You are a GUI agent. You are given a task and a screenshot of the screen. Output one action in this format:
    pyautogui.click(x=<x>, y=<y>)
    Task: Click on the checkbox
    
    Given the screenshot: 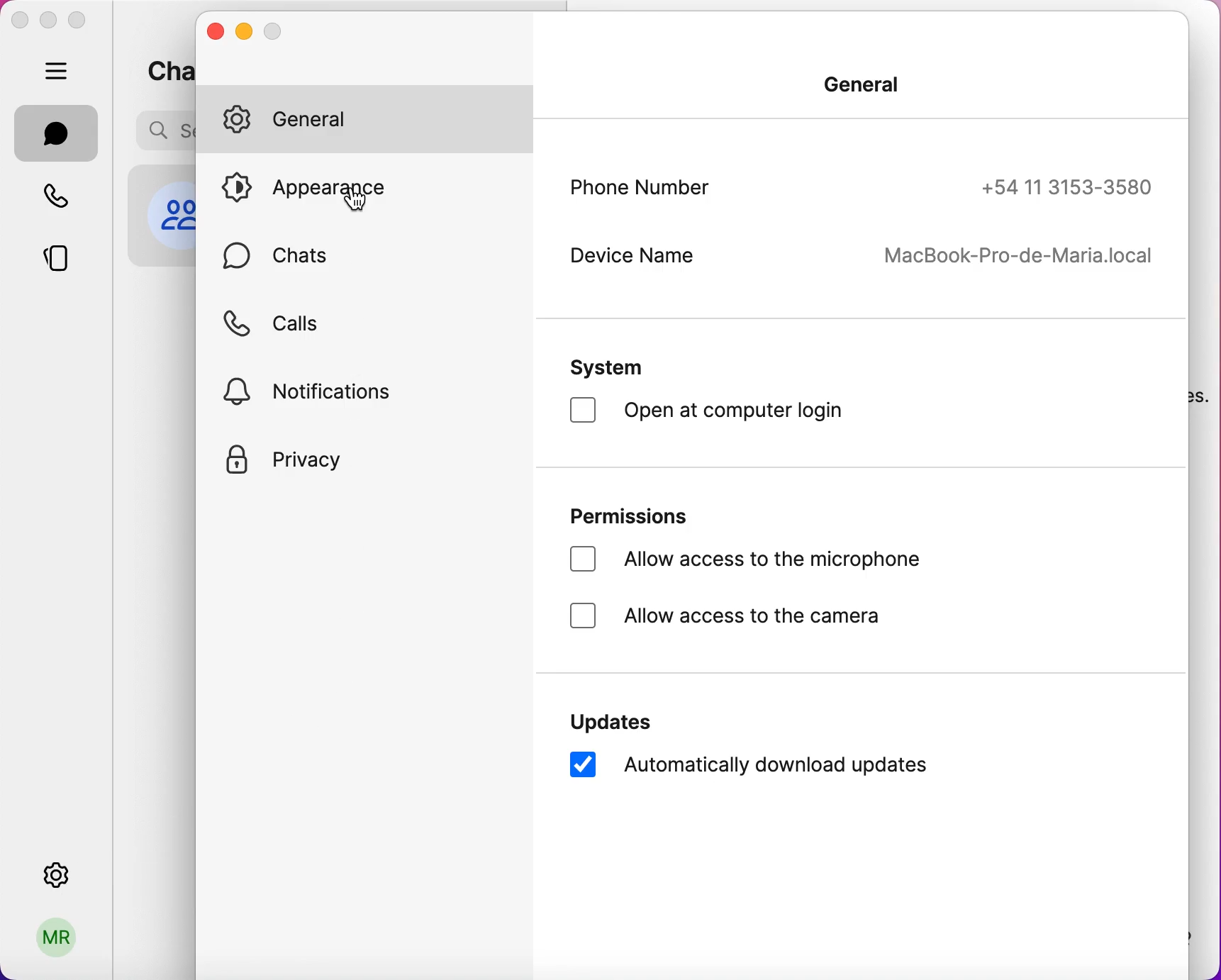 What is the action you would take?
    pyautogui.click(x=586, y=619)
    